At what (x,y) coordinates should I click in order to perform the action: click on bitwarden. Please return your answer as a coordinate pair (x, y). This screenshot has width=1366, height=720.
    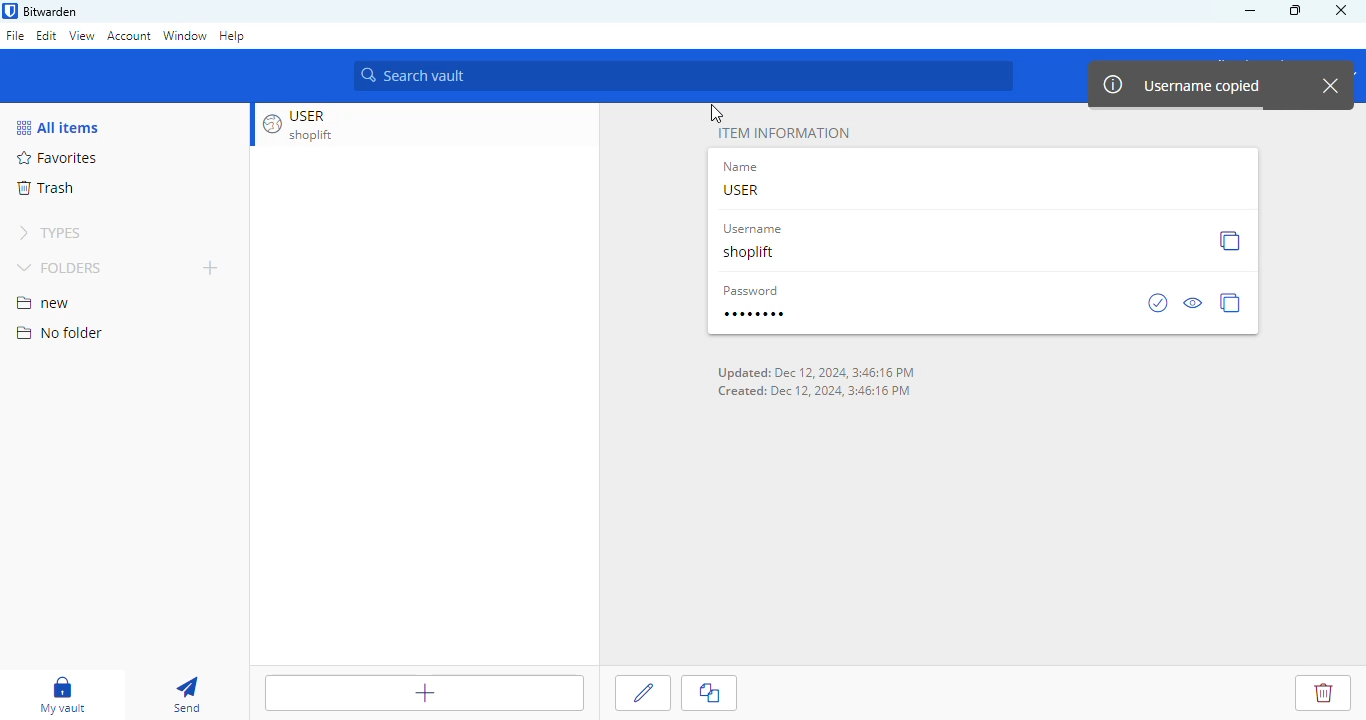
    Looking at the image, I should click on (50, 11).